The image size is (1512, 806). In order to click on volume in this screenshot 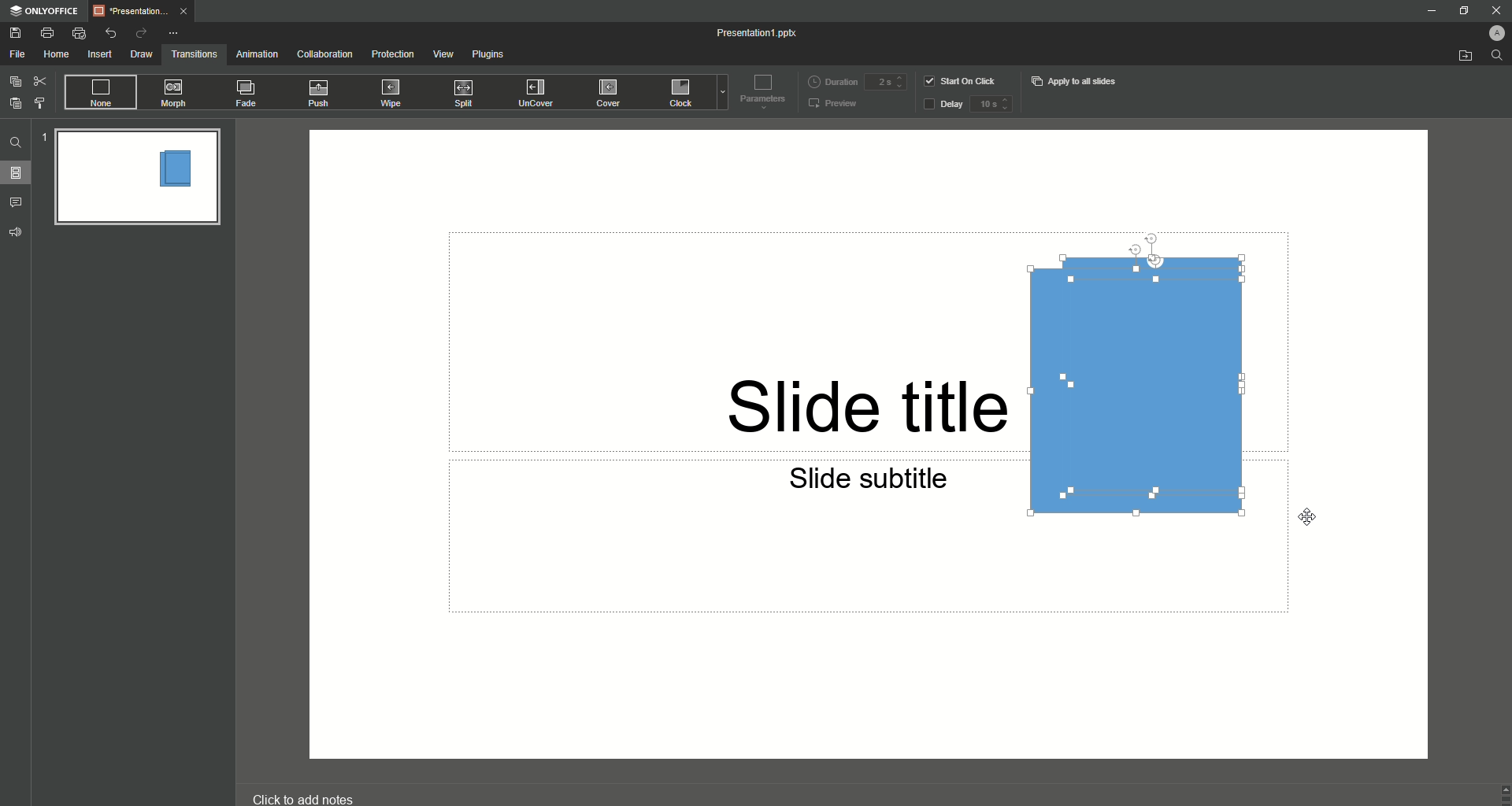, I will do `click(15, 233)`.